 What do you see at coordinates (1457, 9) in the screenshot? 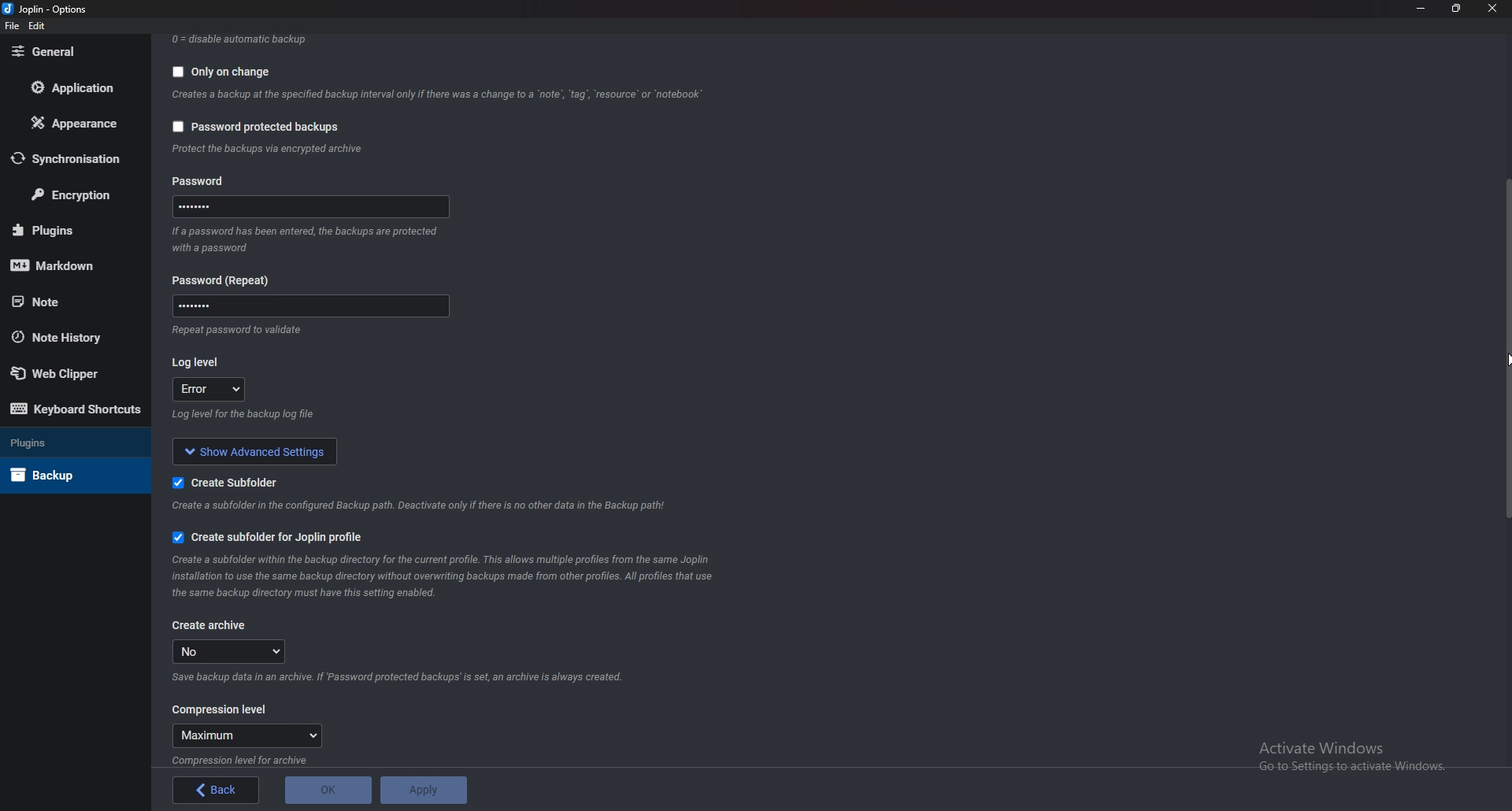
I see `Resize` at bounding box center [1457, 9].